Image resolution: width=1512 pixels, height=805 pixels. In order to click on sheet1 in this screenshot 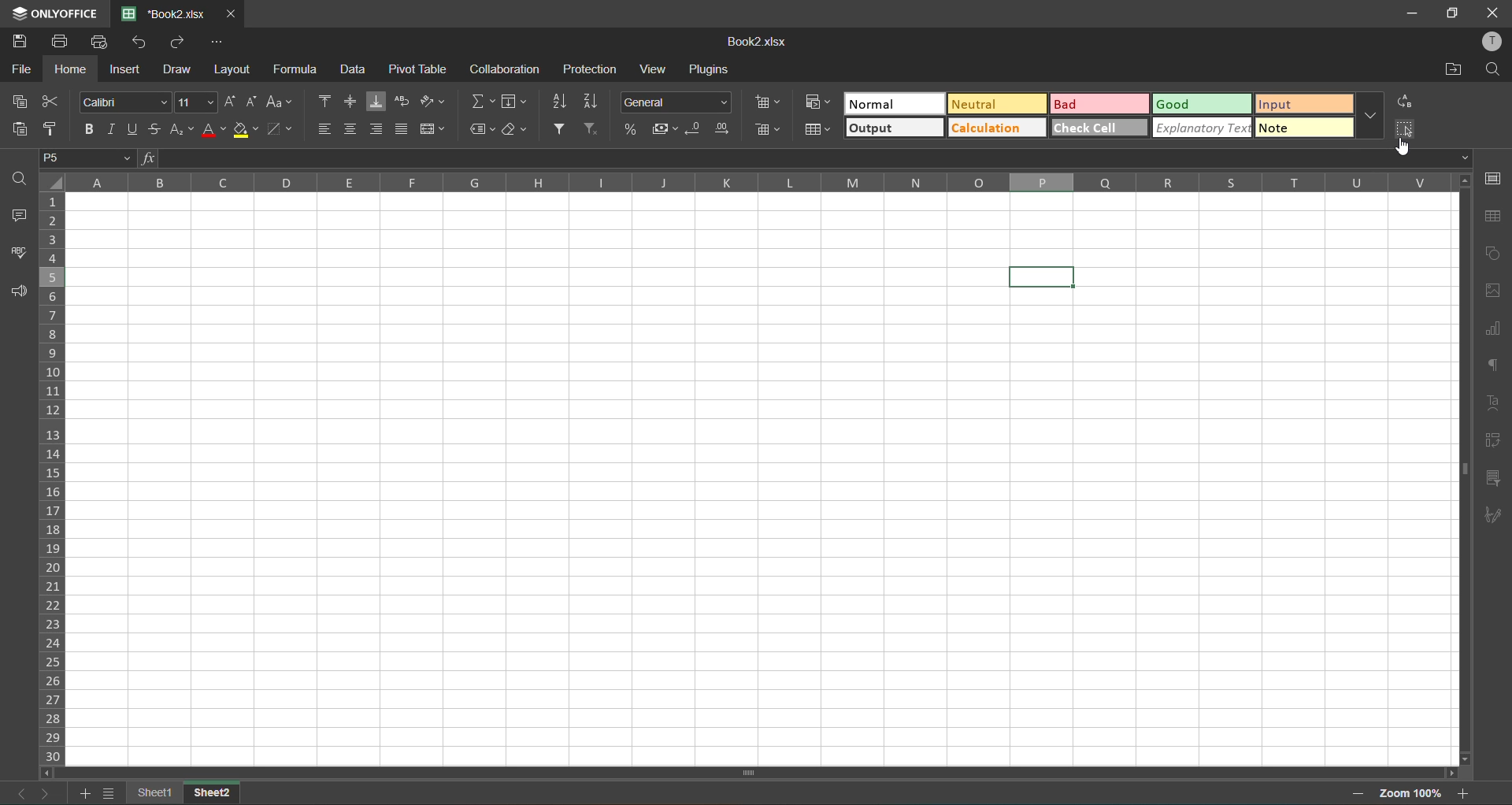, I will do `click(152, 793)`.